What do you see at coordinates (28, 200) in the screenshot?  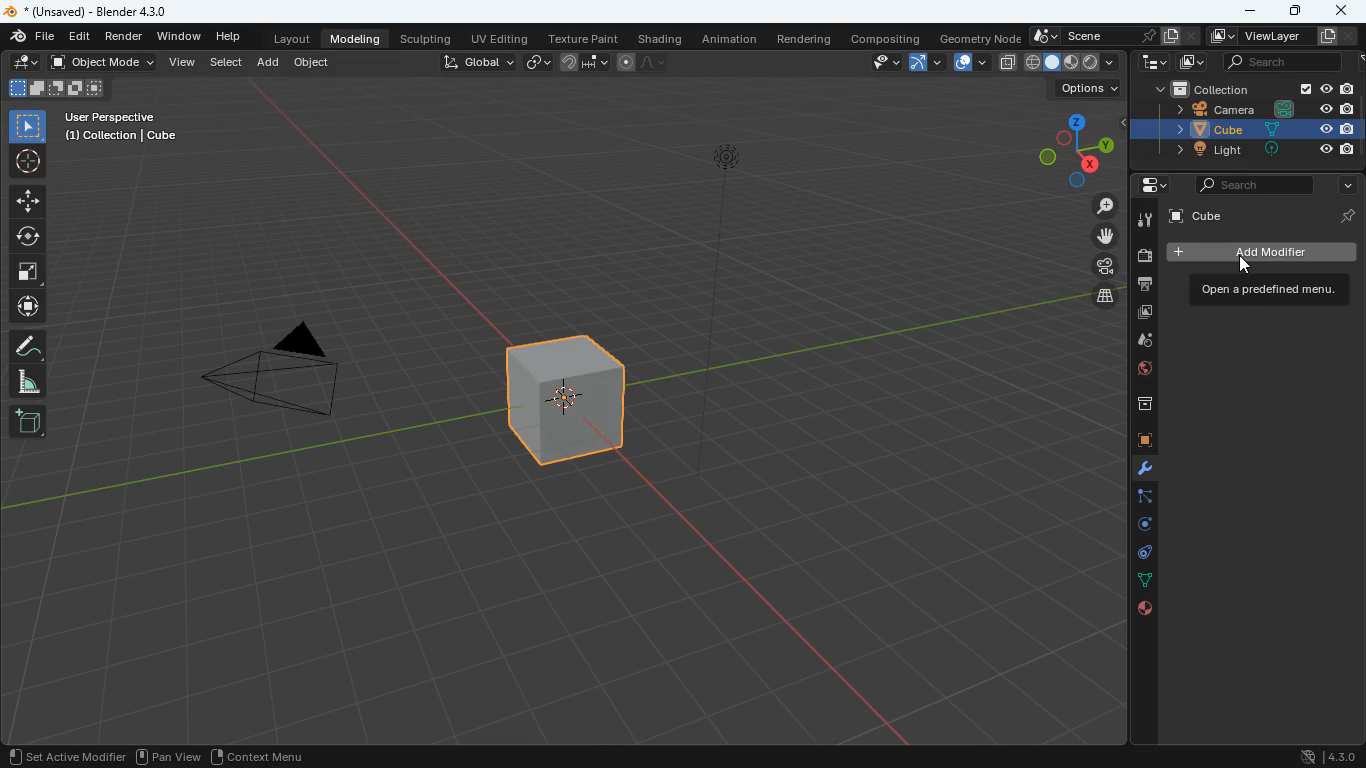 I see `move` at bounding box center [28, 200].